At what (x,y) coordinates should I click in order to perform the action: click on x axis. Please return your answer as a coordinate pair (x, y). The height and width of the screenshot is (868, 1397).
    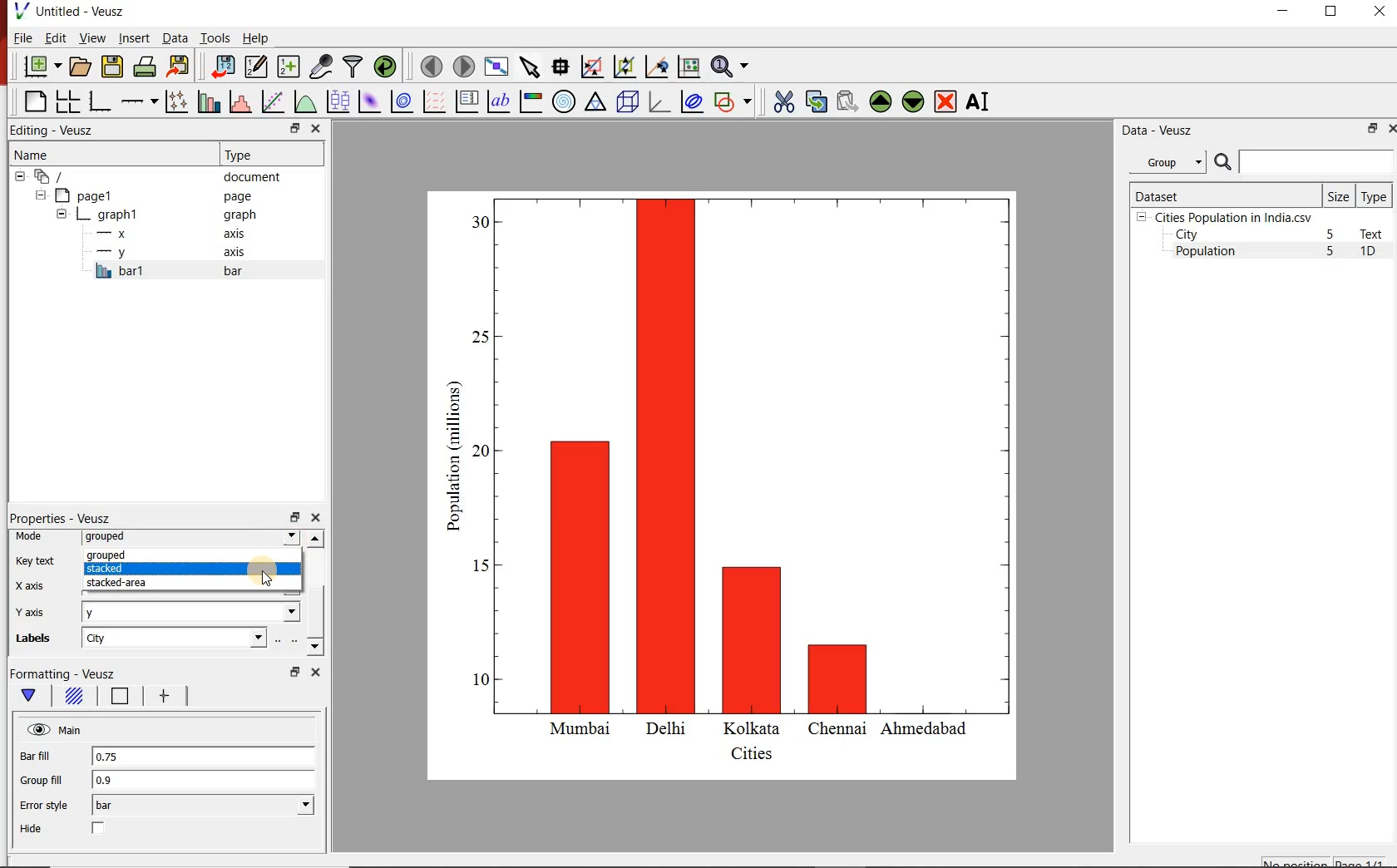
    Looking at the image, I should click on (35, 587).